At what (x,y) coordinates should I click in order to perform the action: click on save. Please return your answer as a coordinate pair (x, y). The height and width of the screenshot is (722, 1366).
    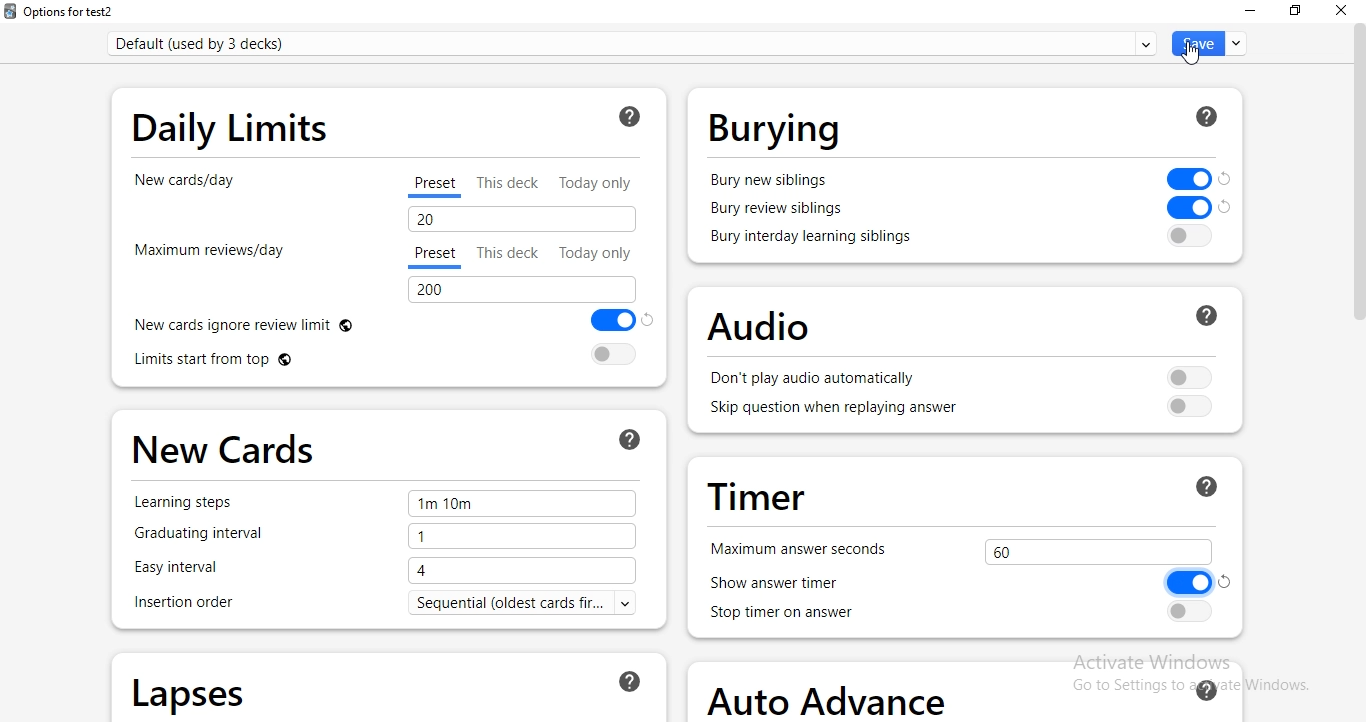
    Looking at the image, I should click on (1210, 43).